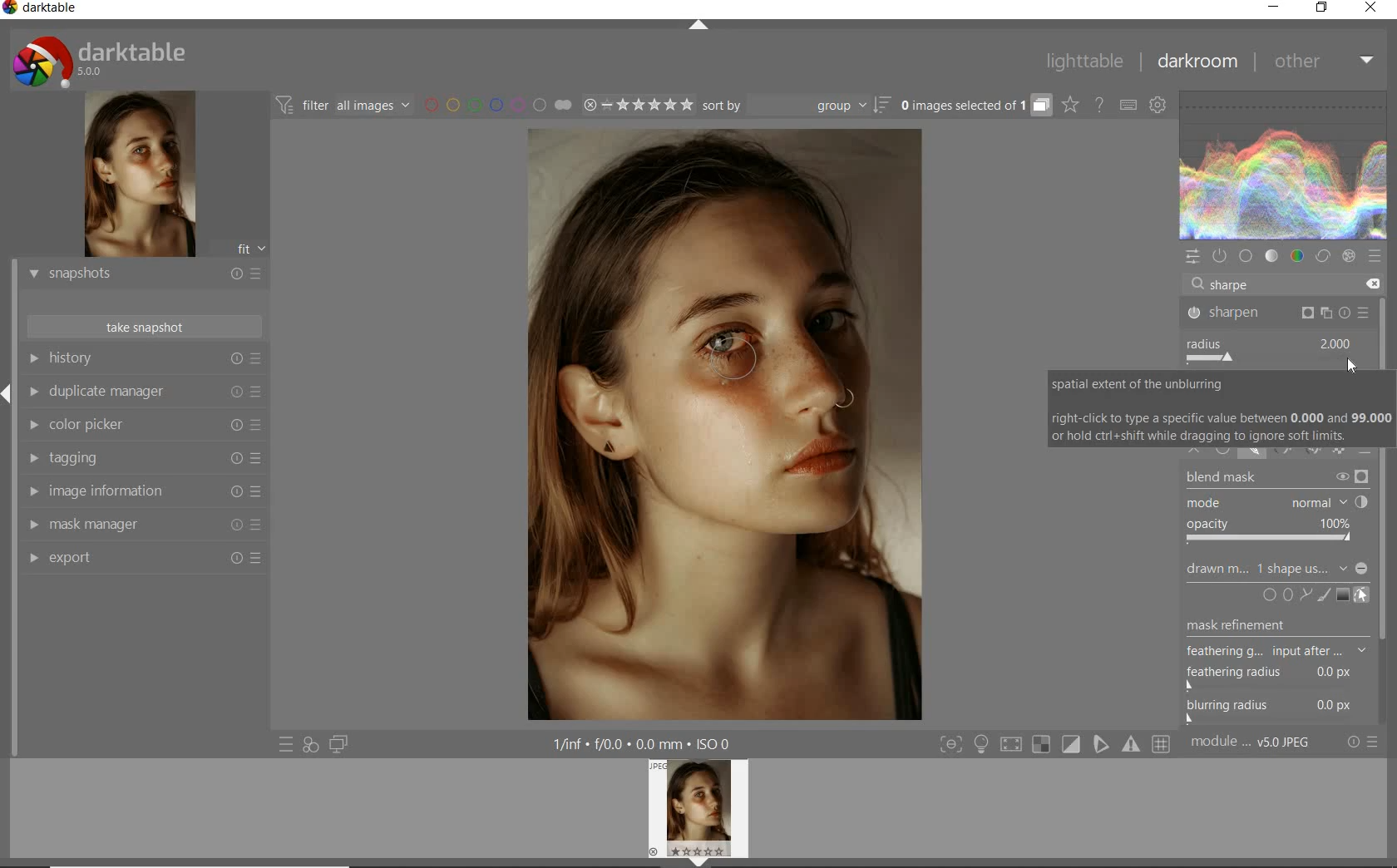 The image size is (1397, 868). I want to click on show only active modules, so click(1222, 256).